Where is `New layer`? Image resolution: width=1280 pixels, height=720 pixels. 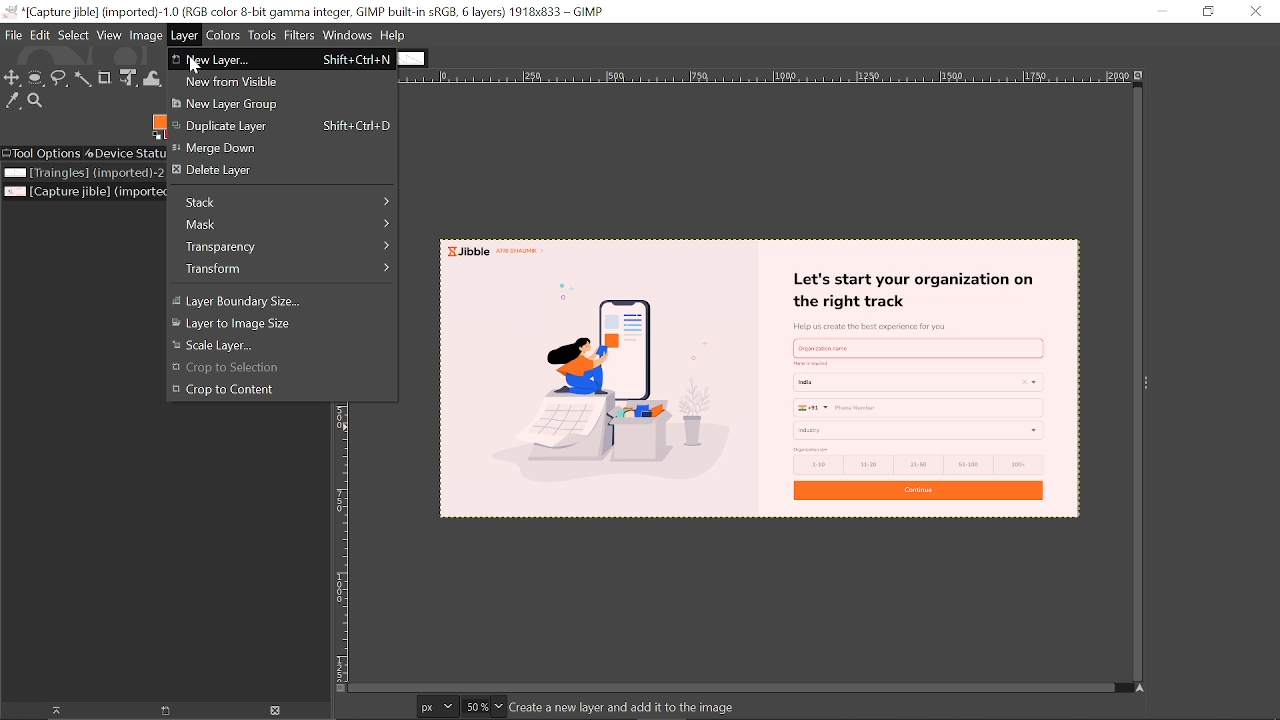
New layer is located at coordinates (283, 59).